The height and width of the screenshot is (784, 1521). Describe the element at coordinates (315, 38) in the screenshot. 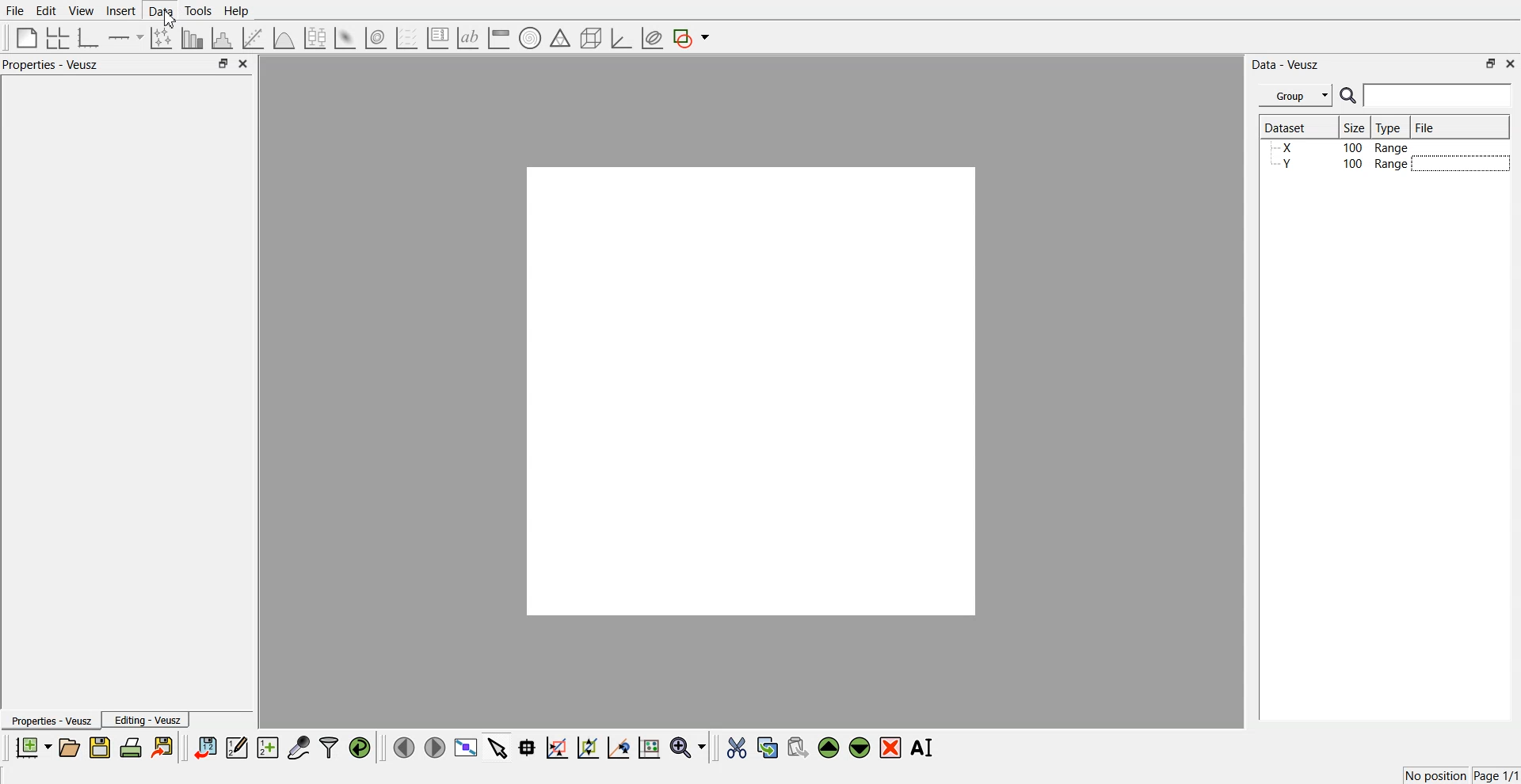

I see `Plot box plots` at that location.